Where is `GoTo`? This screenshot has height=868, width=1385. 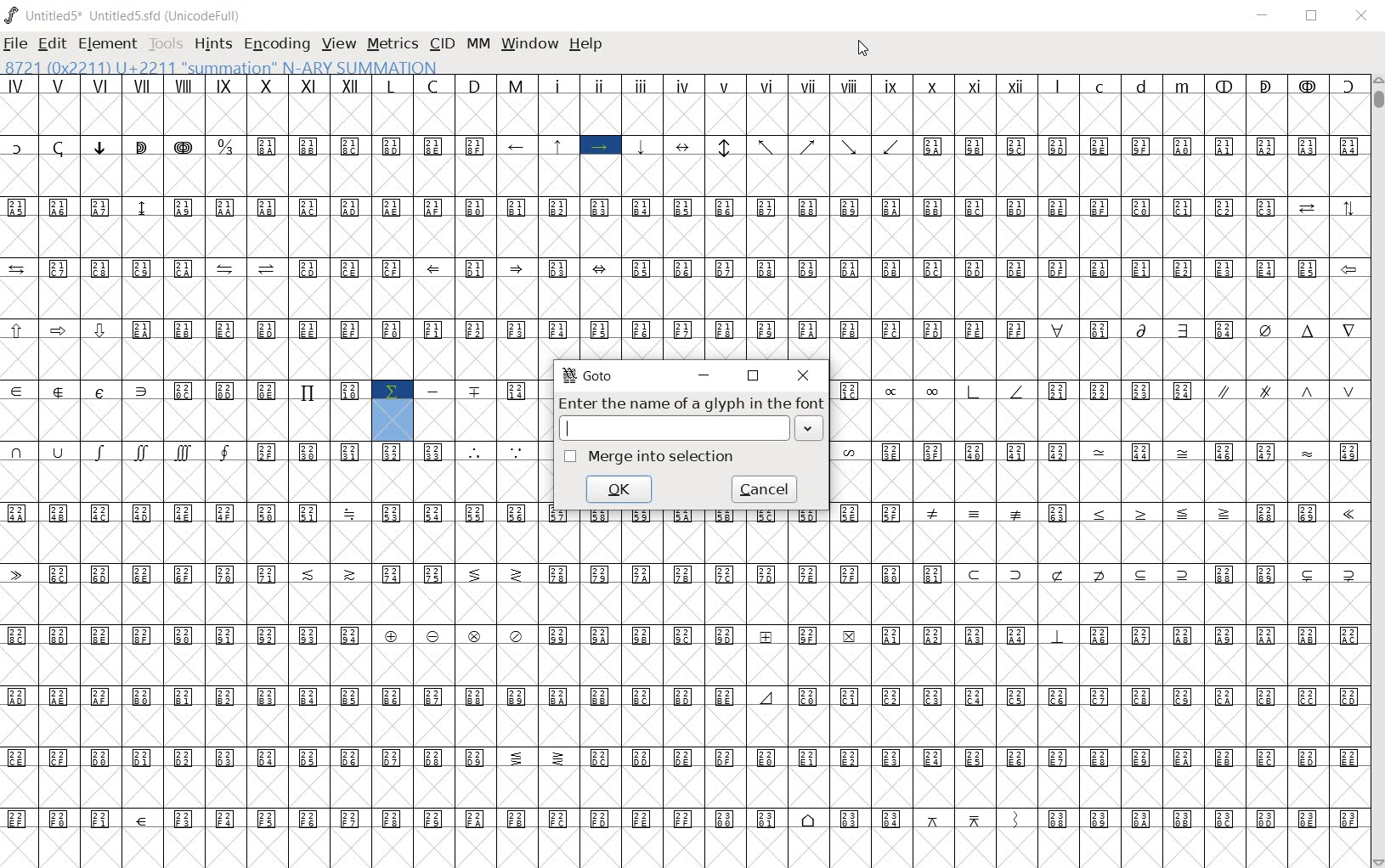 GoTo is located at coordinates (587, 375).